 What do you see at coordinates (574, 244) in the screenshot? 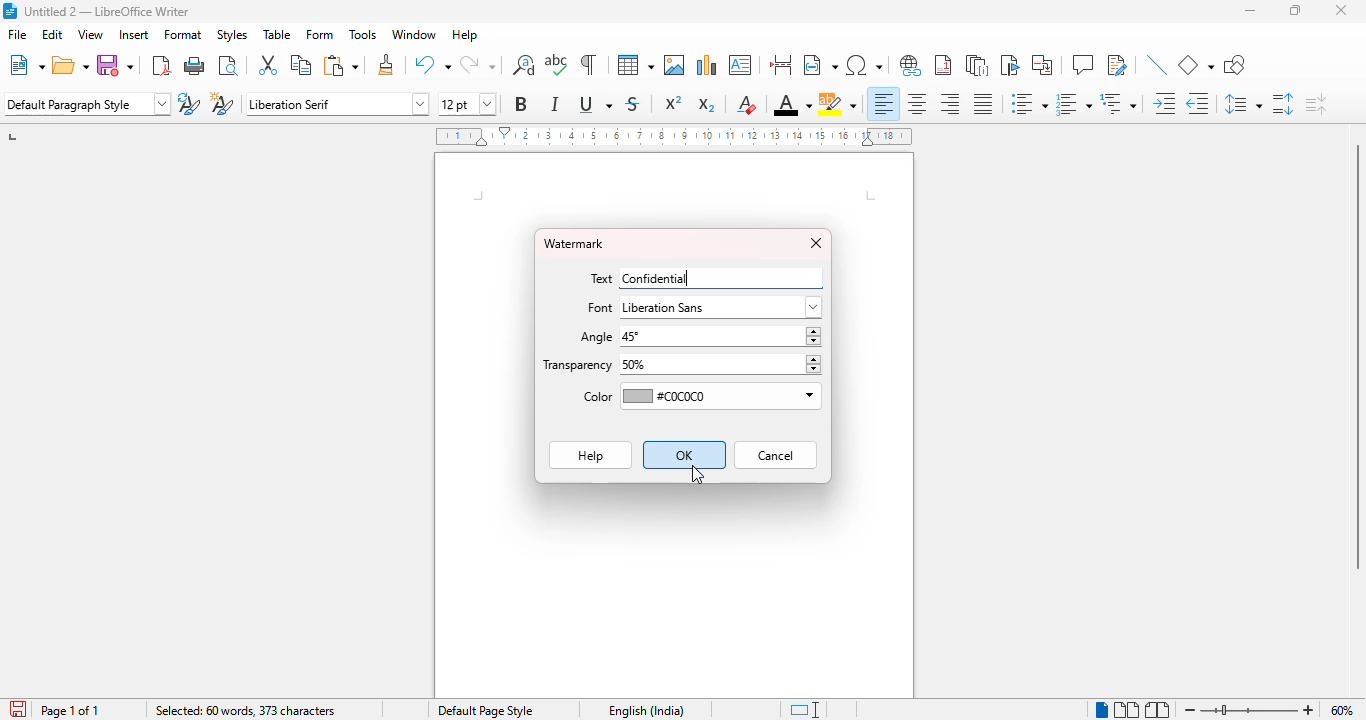
I see `watermark` at bounding box center [574, 244].